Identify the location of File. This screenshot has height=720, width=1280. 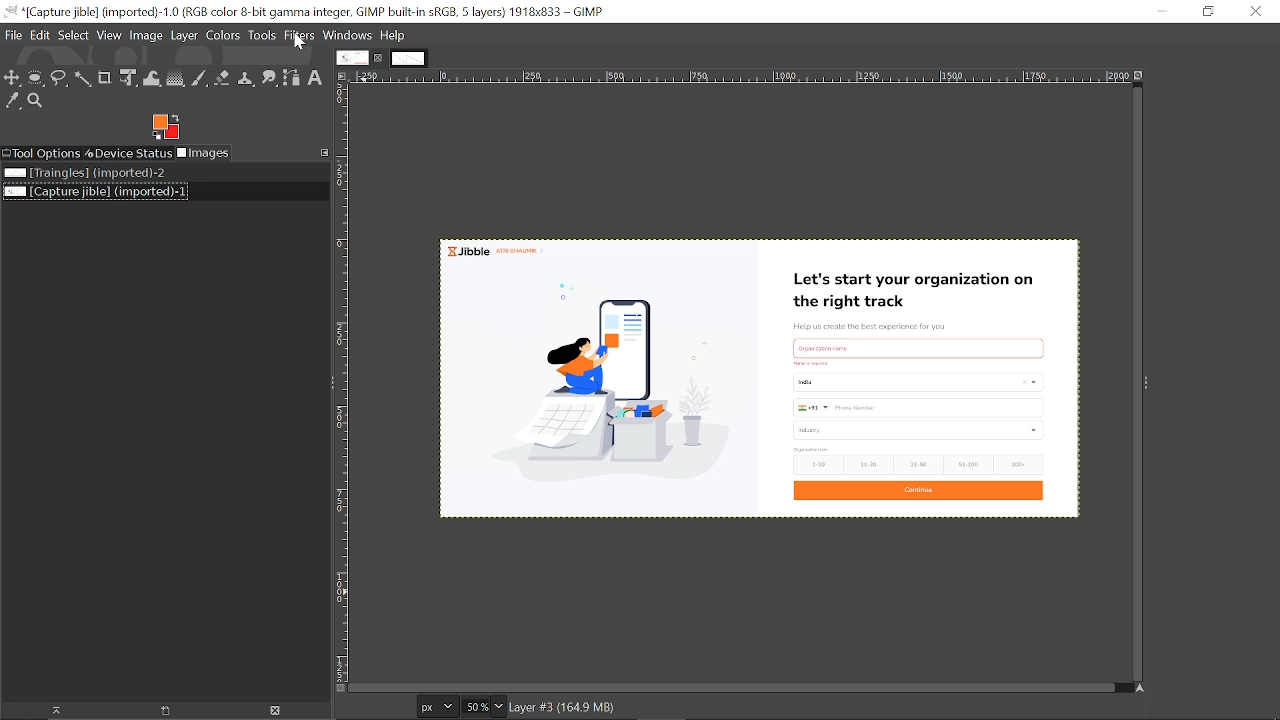
(14, 35).